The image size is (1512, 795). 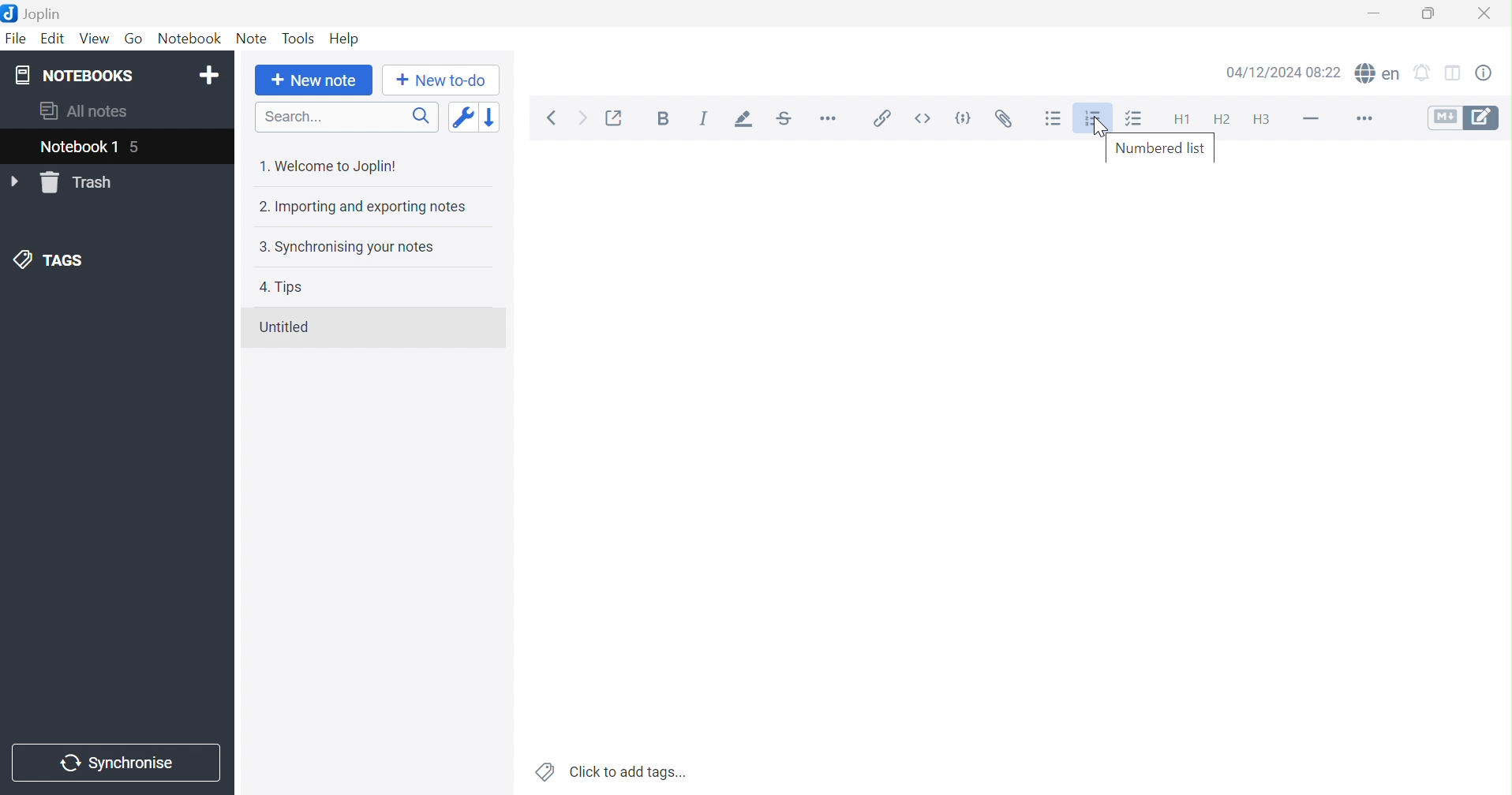 I want to click on Notebook, so click(x=189, y=37).